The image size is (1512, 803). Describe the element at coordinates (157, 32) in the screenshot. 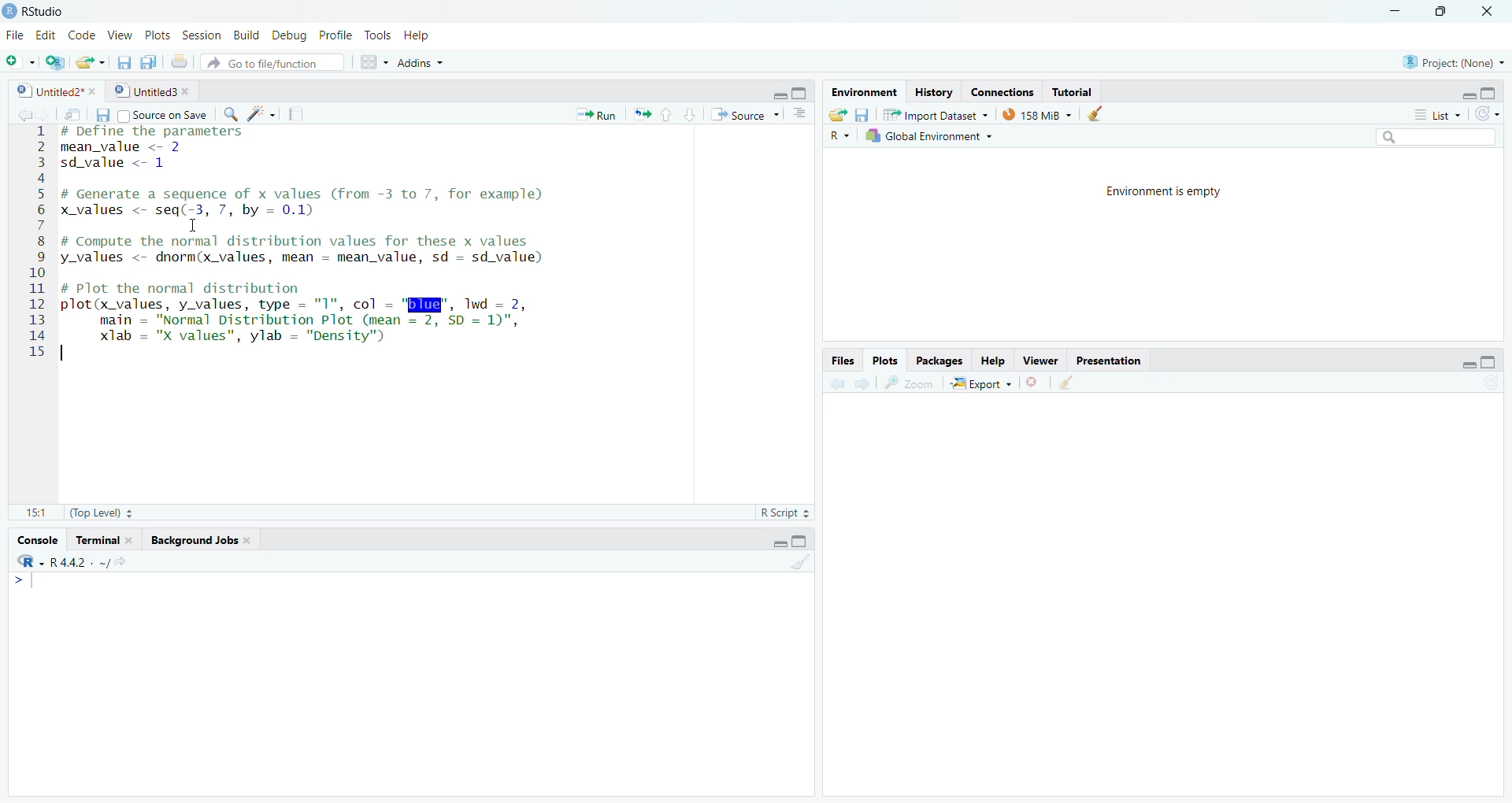

I see `Plots` at that location.